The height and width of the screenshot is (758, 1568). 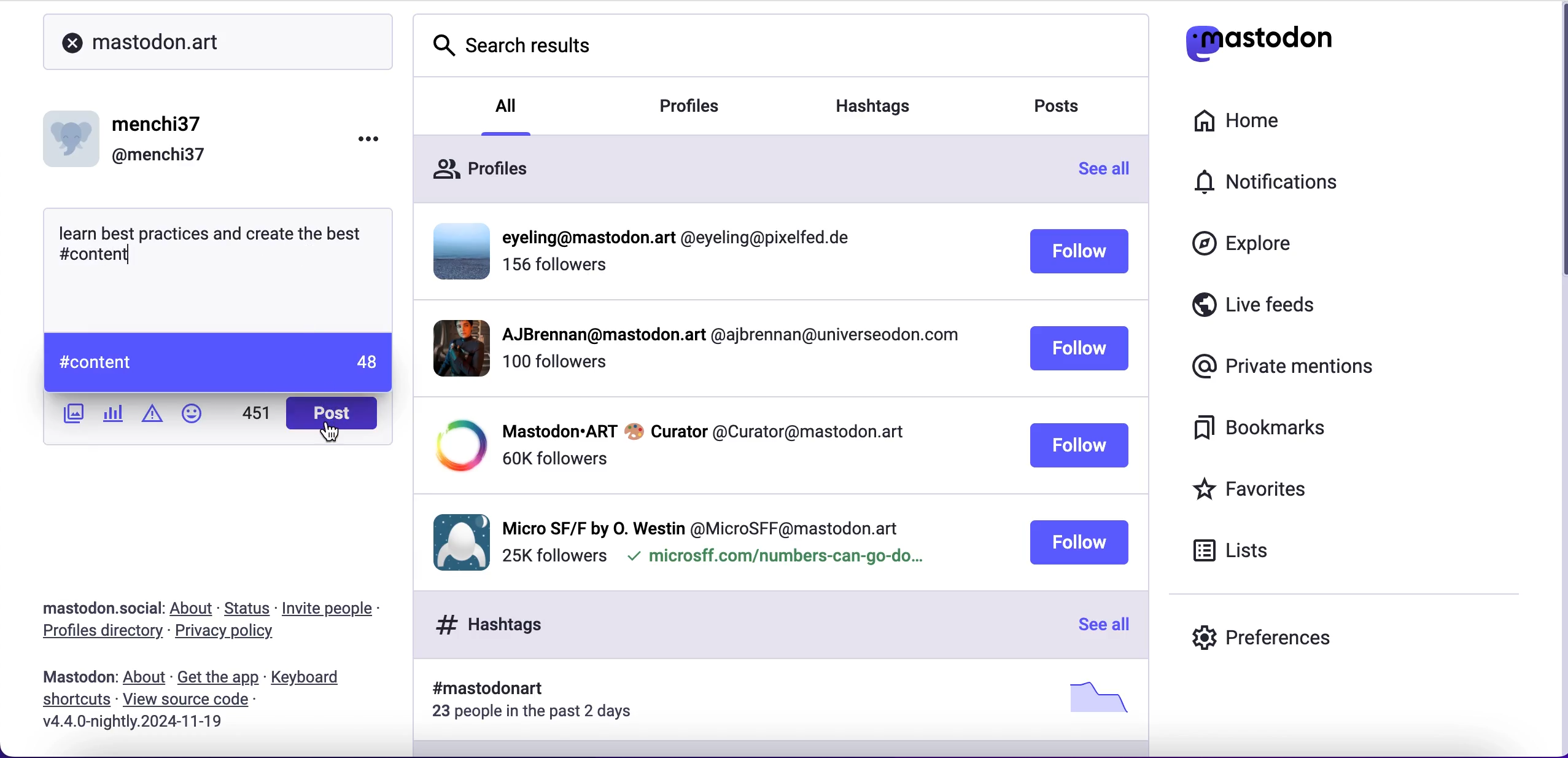 I want to click on profiile, so click(x=683, y=238).